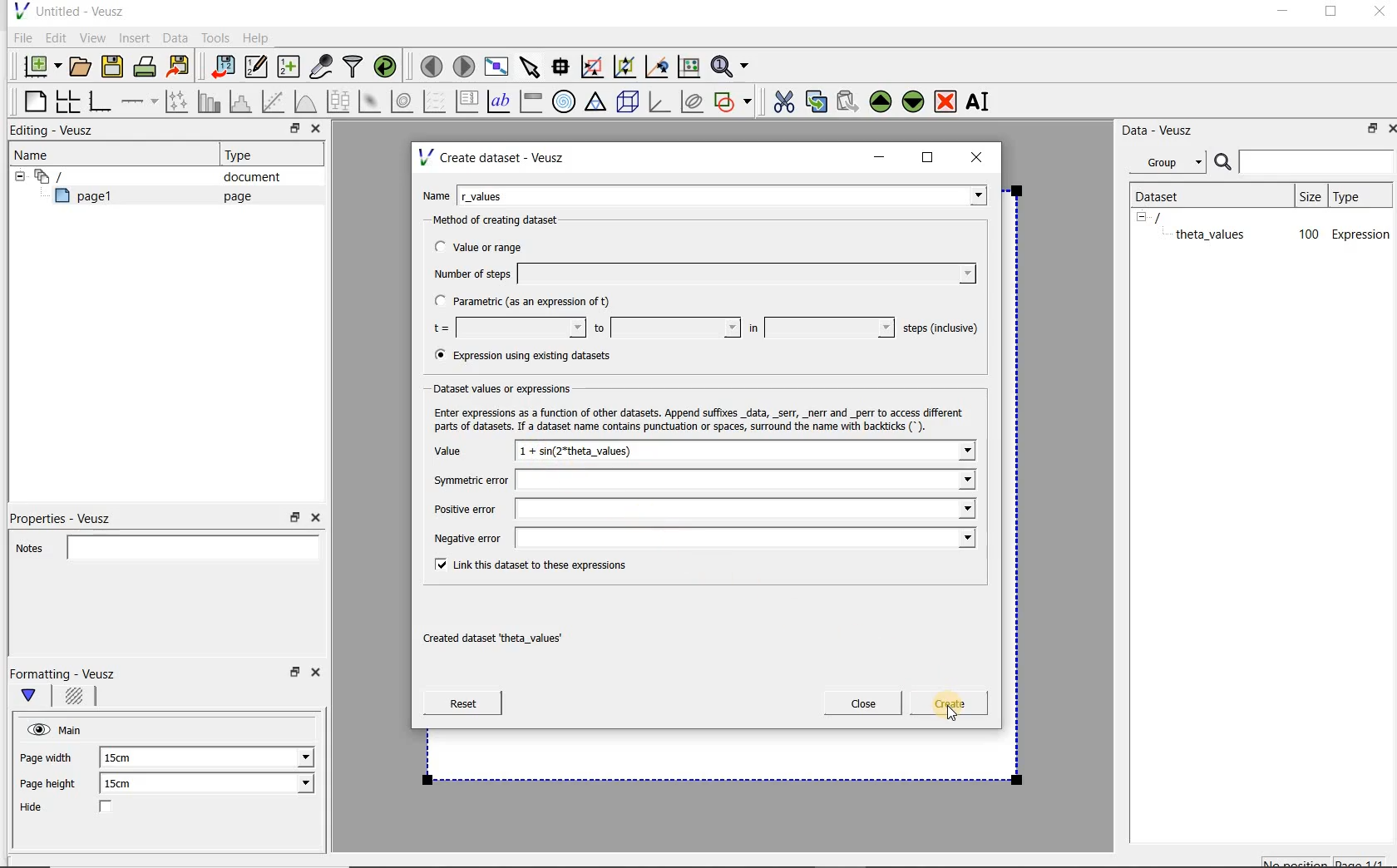 Image resolution: width=1397 pixels, height=868 pixels. I want to click on Dataset, so click(1166, 195).